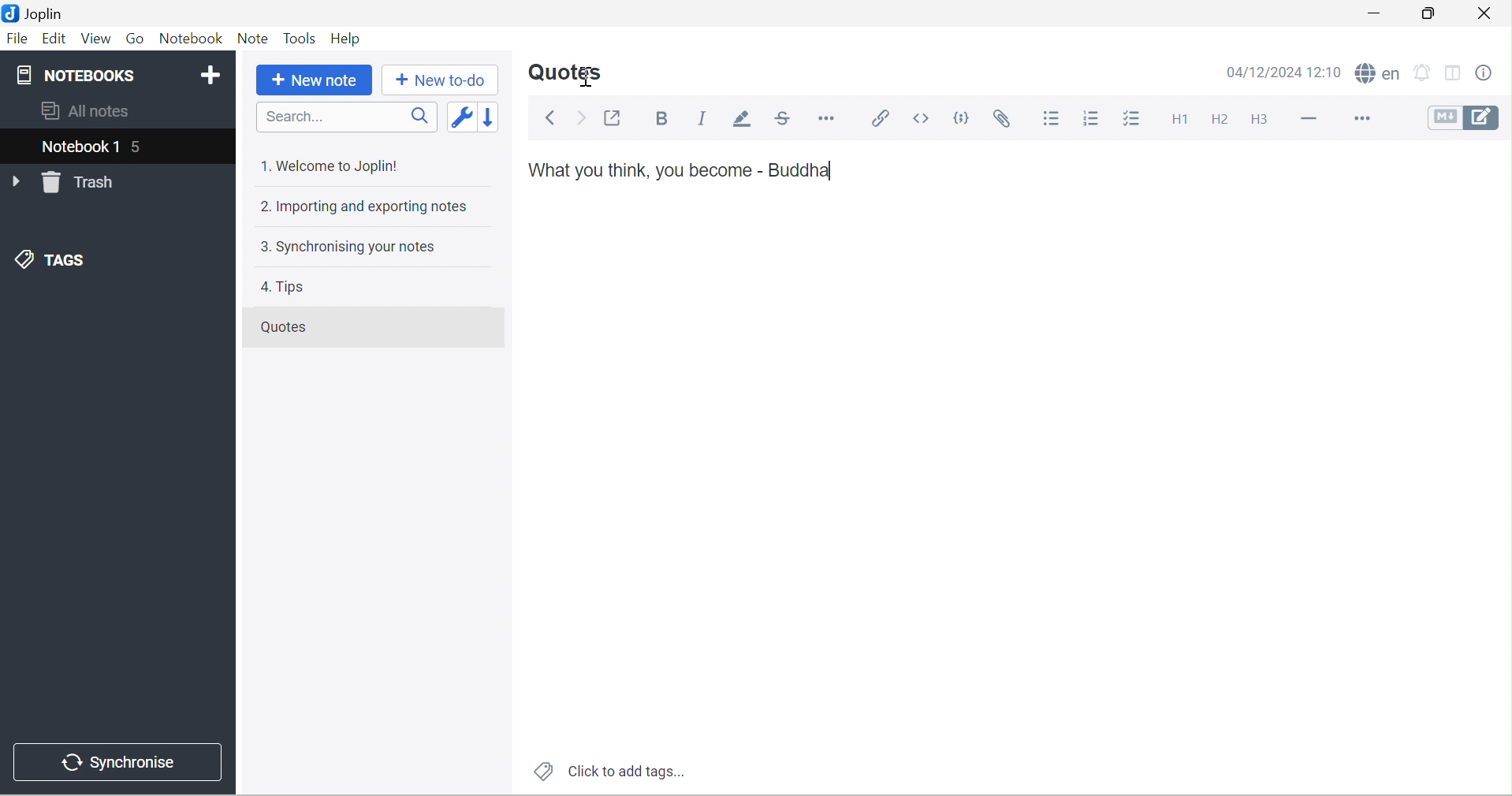  Describe the element at coordinates (587, 79) in the screenshot. I see `Cursor` at that location.